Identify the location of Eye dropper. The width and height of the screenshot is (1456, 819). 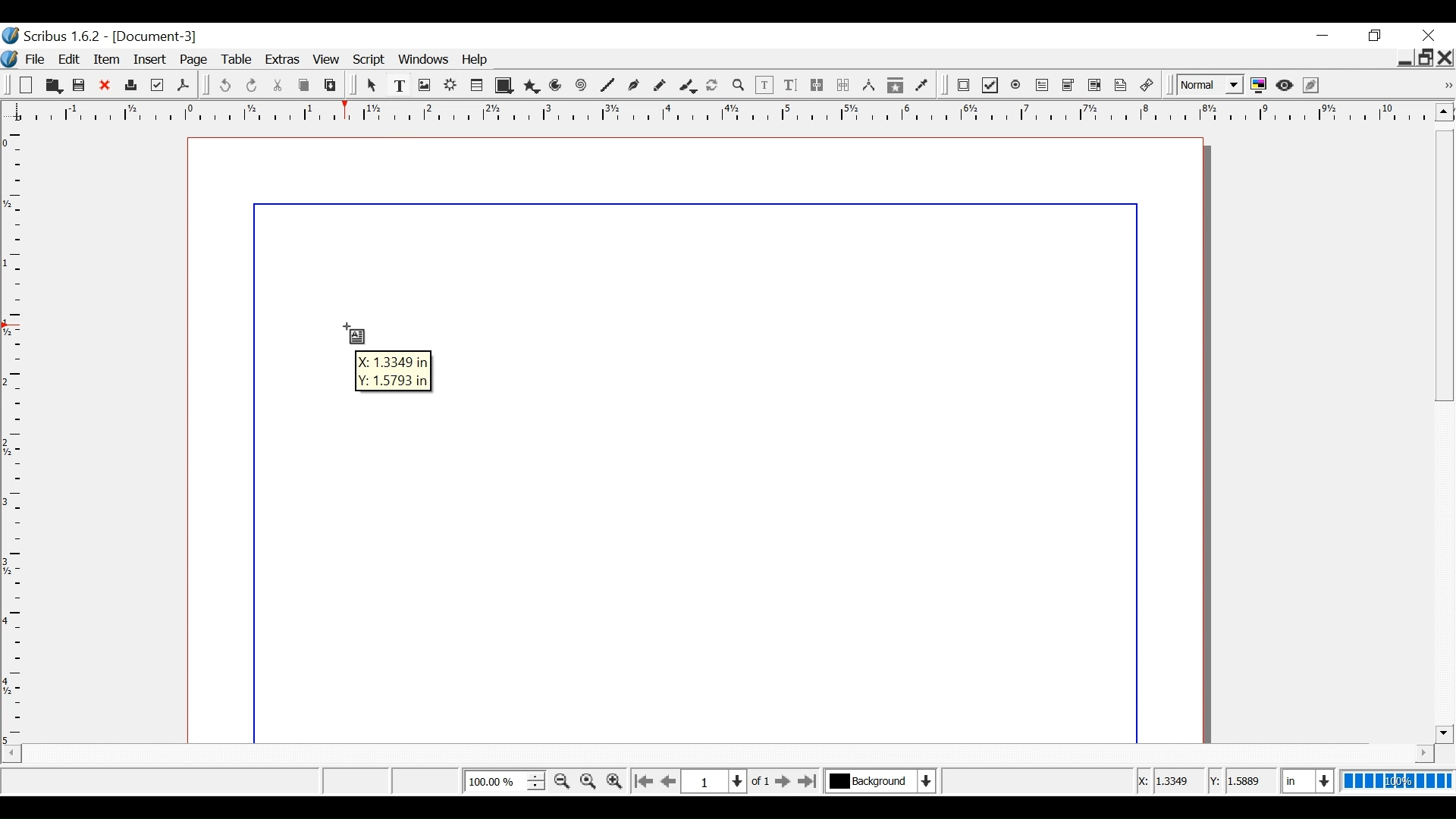
(923, 86).